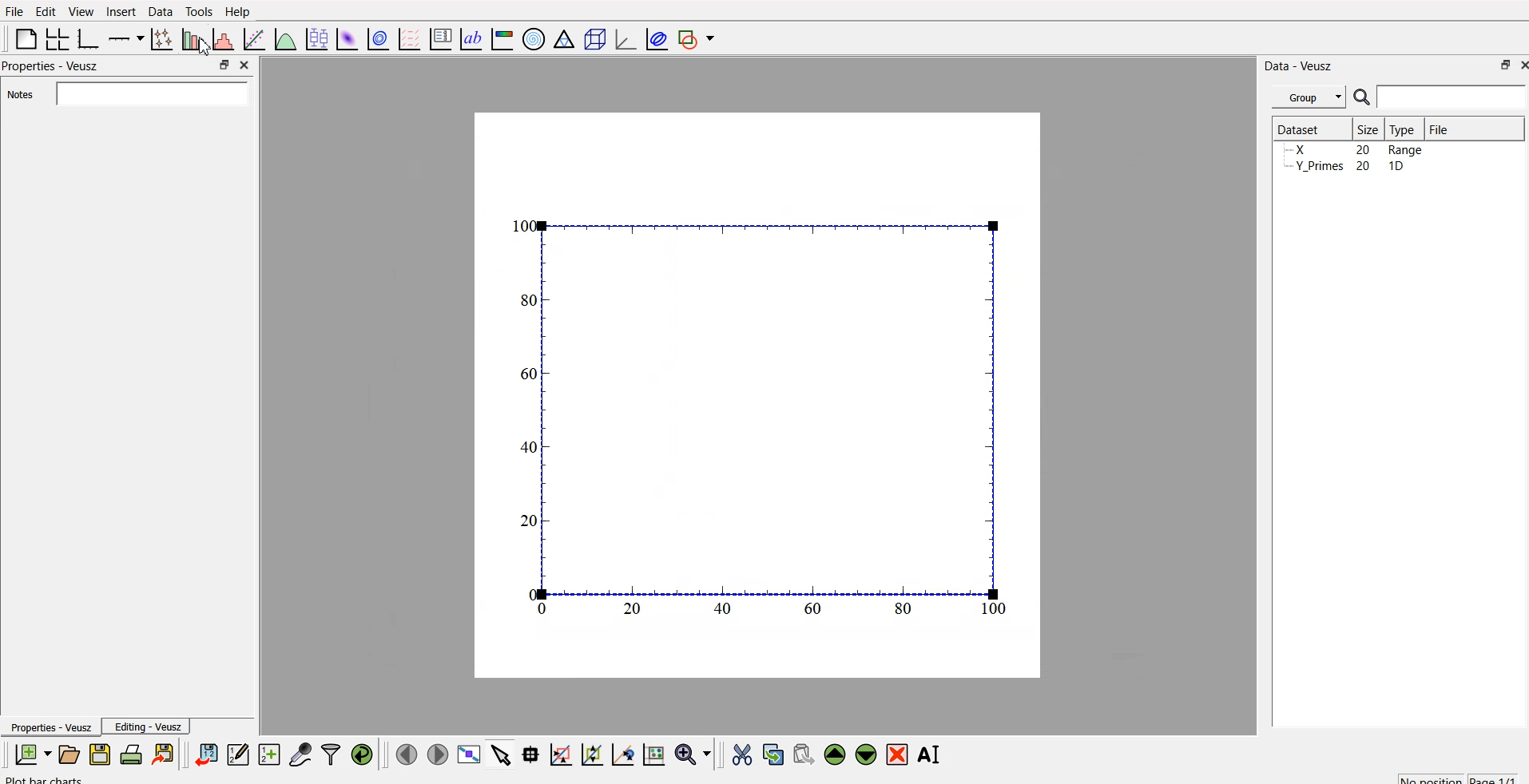  Describe the element at coordinates (80, 778) in the screenshot. I see `edit and enter new dataset` at that location.